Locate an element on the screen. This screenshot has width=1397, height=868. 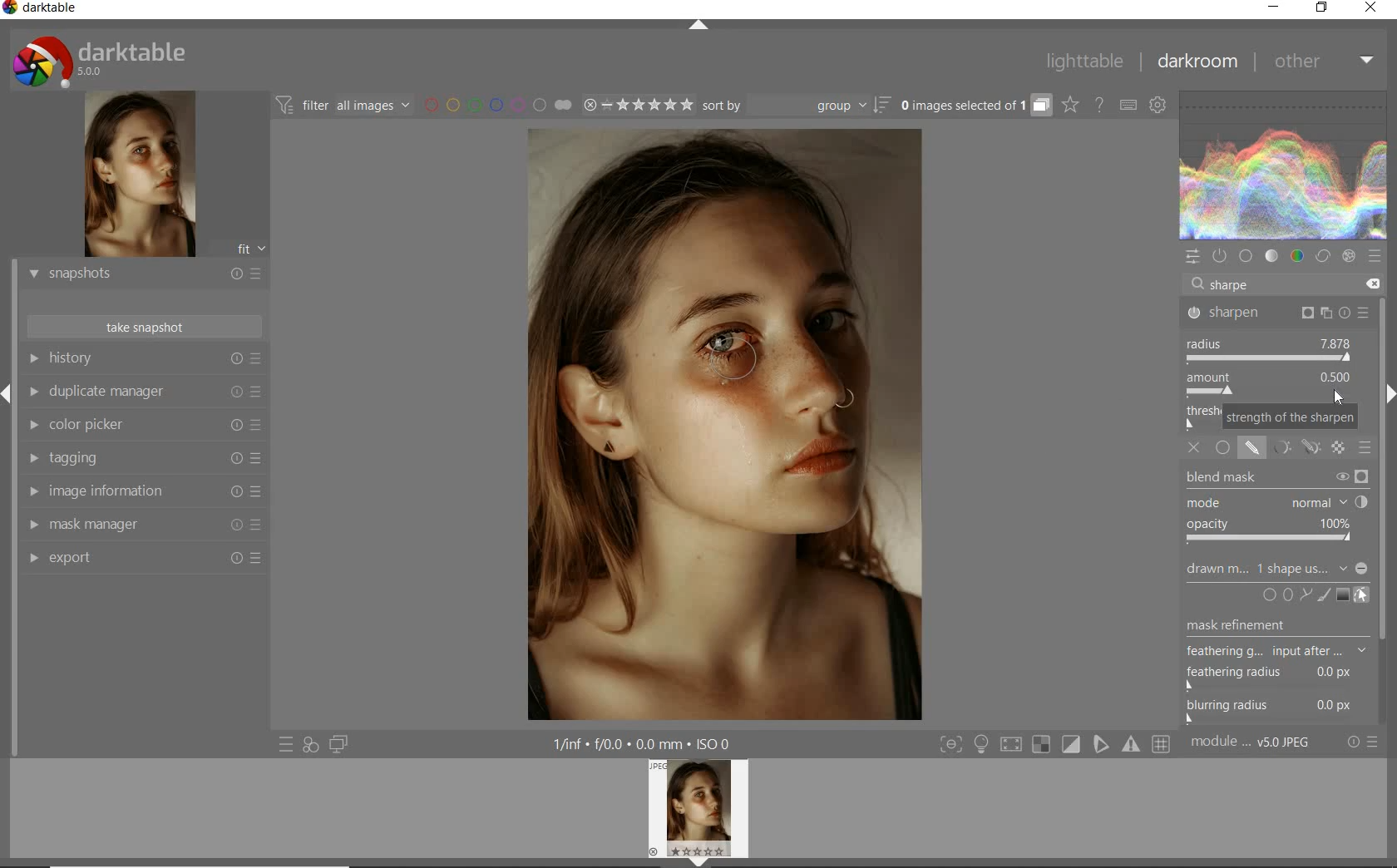
tagging is located at coordinates (141, 459).